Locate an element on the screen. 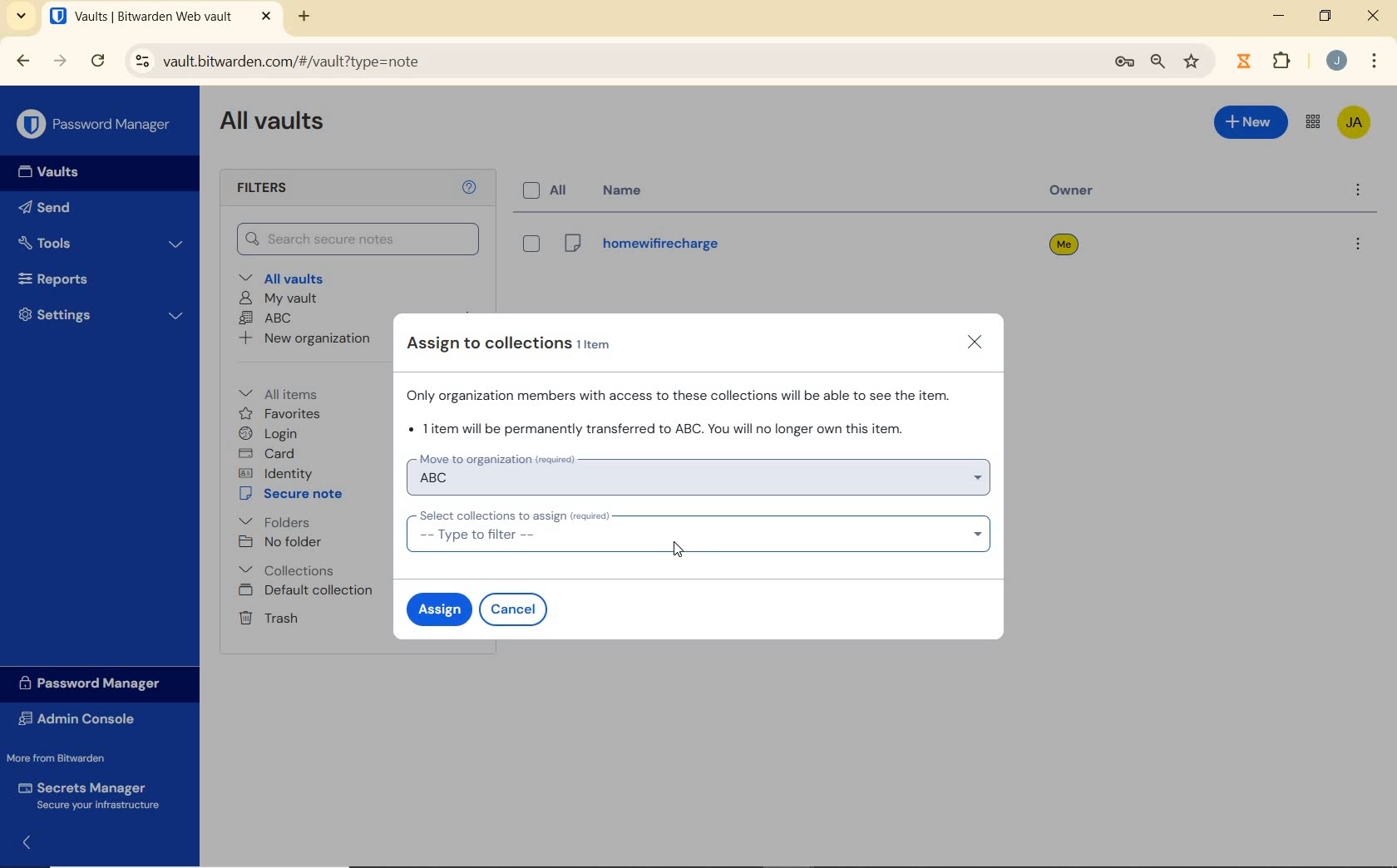  card is located at coordinates (269, 453).